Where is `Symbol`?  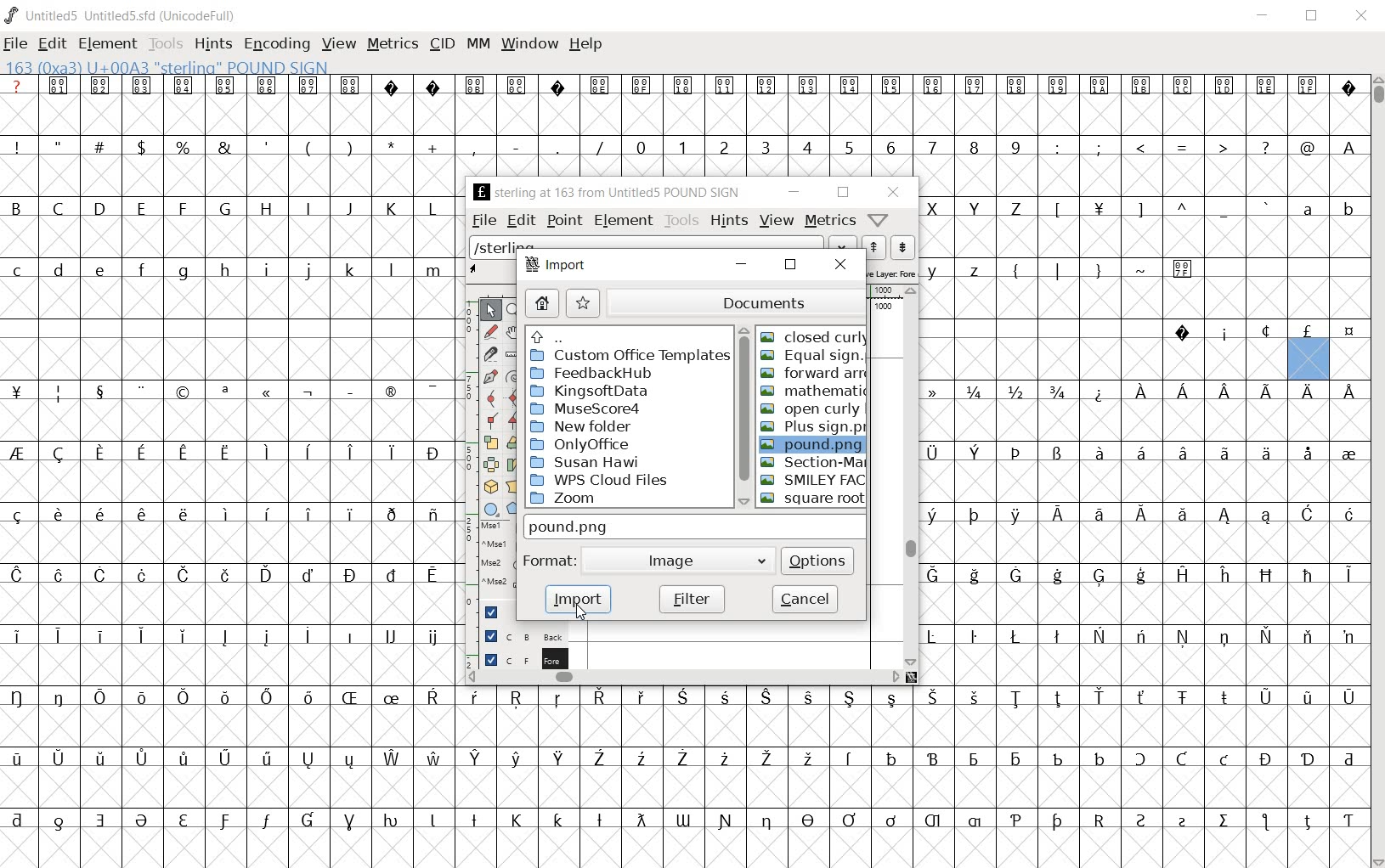
Symbol is located at coordinates (1226, 637).